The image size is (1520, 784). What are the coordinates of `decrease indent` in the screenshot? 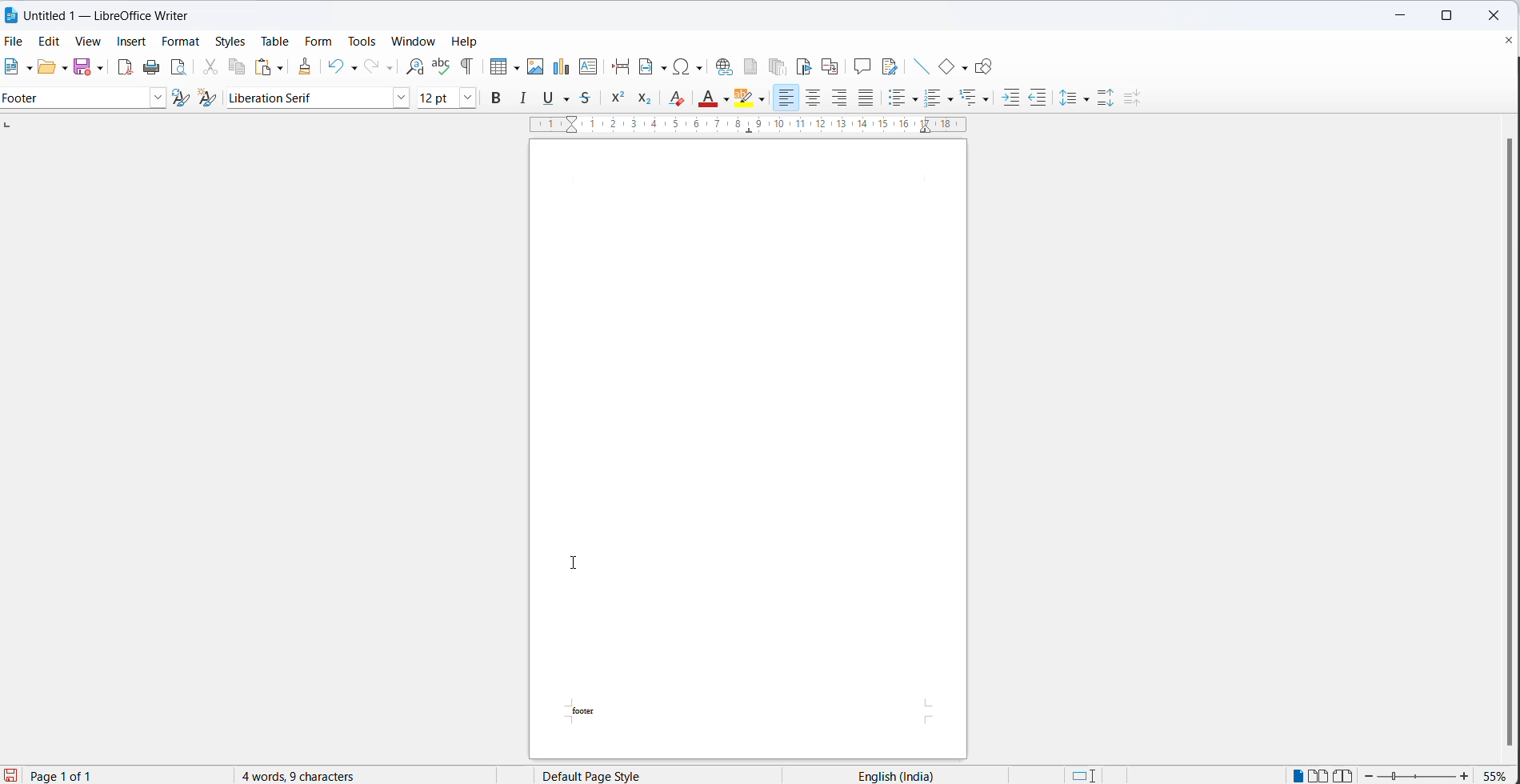 It's located at (1040, 98).